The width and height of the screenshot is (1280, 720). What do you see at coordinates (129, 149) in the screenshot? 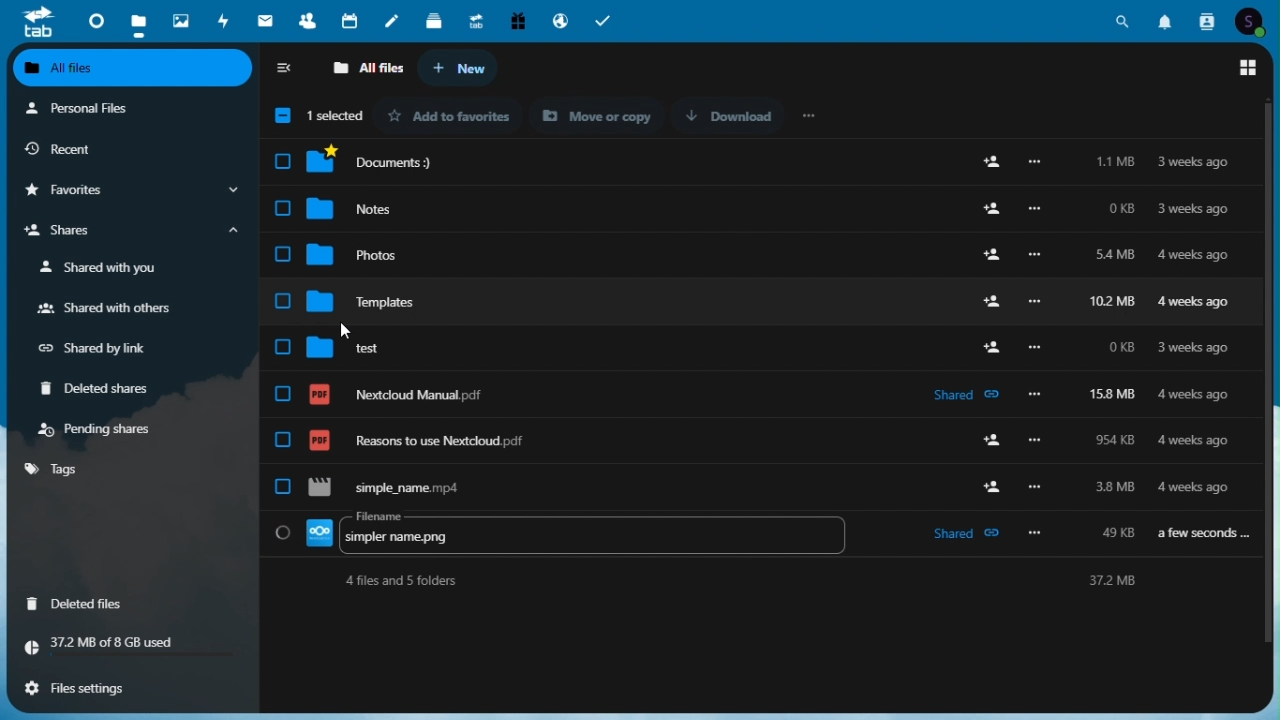
I see `recent` at bounding box center [129, 149].